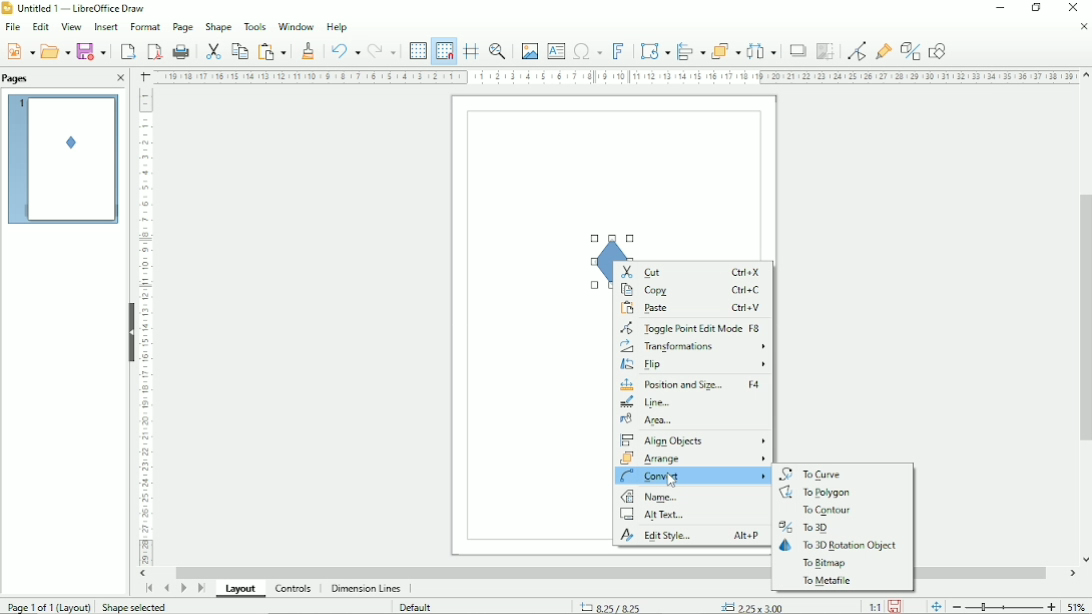 The image size is (1092, 614). Describe the element at coordinates (1075, 8) in the screenshot. I see `Close` at that location.